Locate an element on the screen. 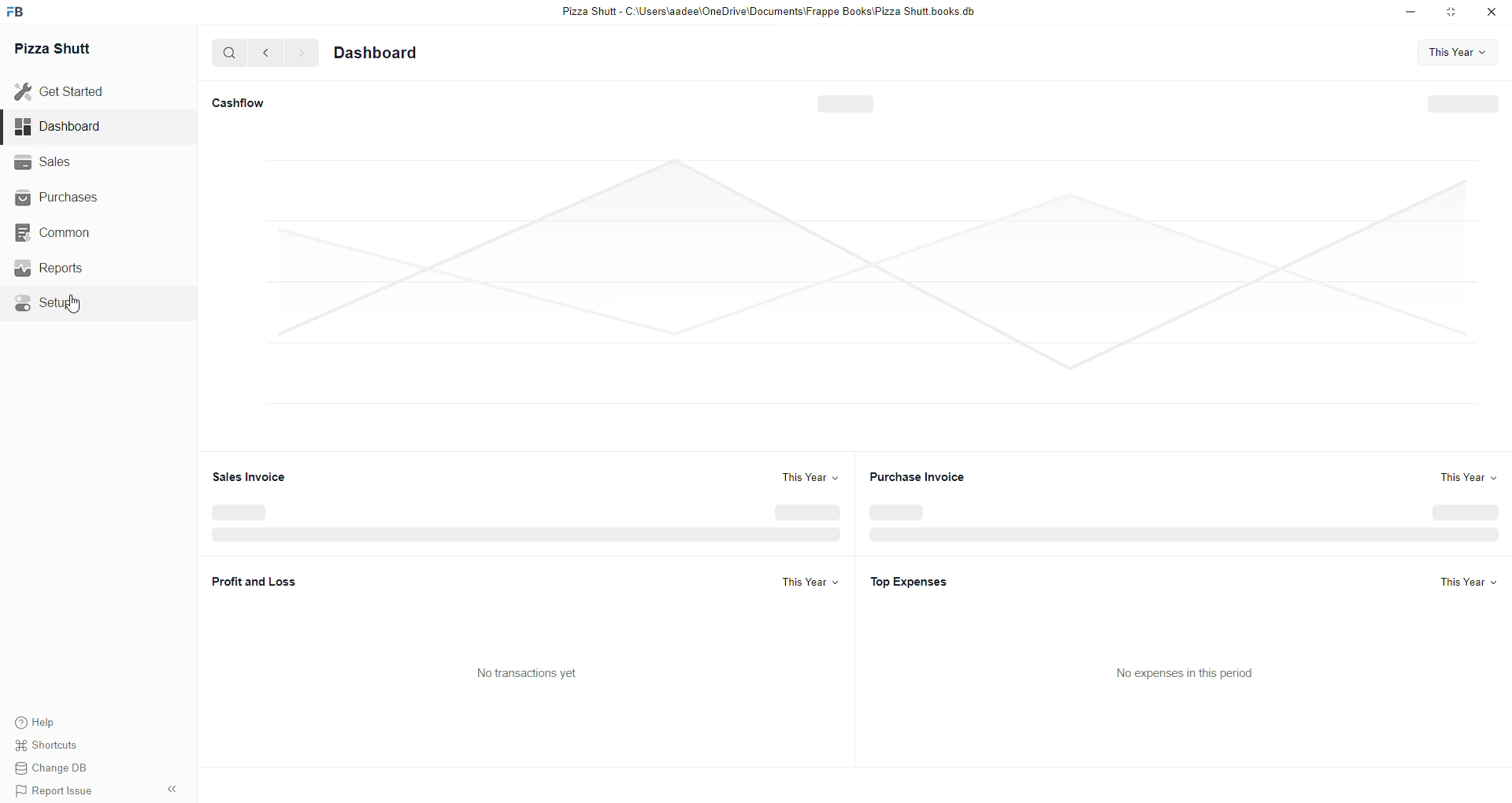 This screenshot has height=803, width=1512. No Transactions Yet is located at coordinates (533, 675).